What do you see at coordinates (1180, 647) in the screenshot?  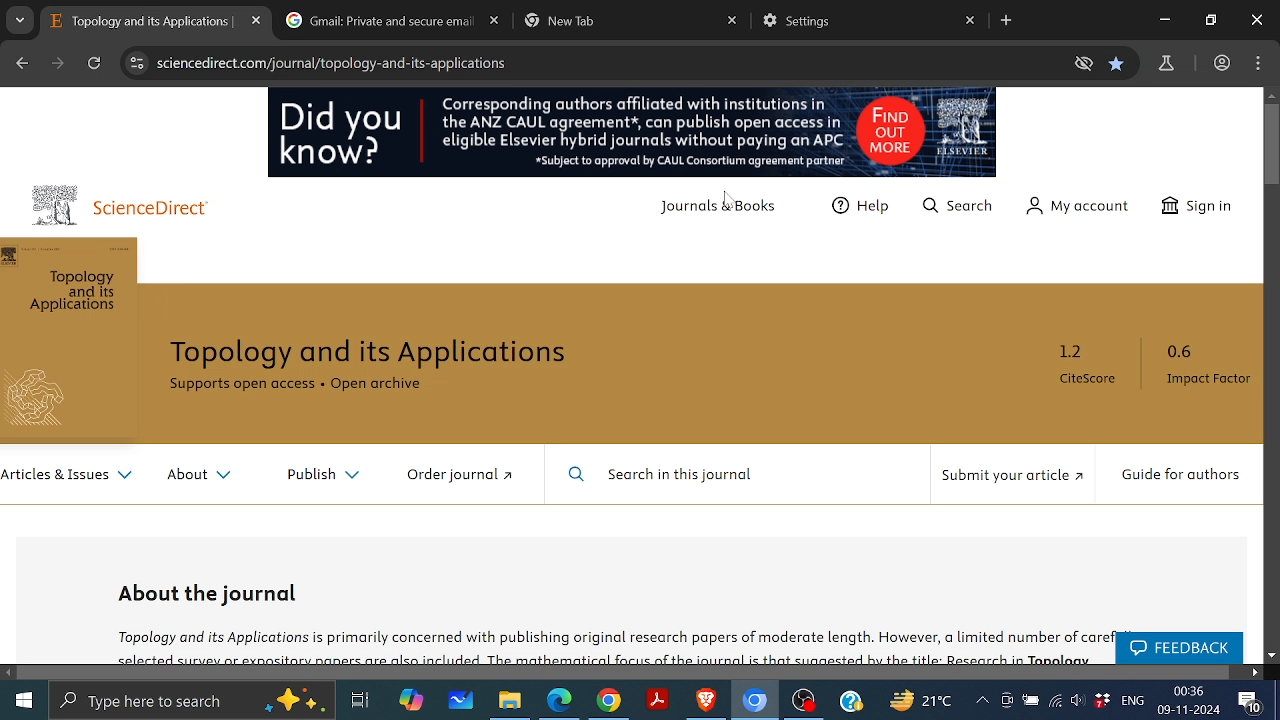 I see `feedback` at bounding box center [1180, 647].